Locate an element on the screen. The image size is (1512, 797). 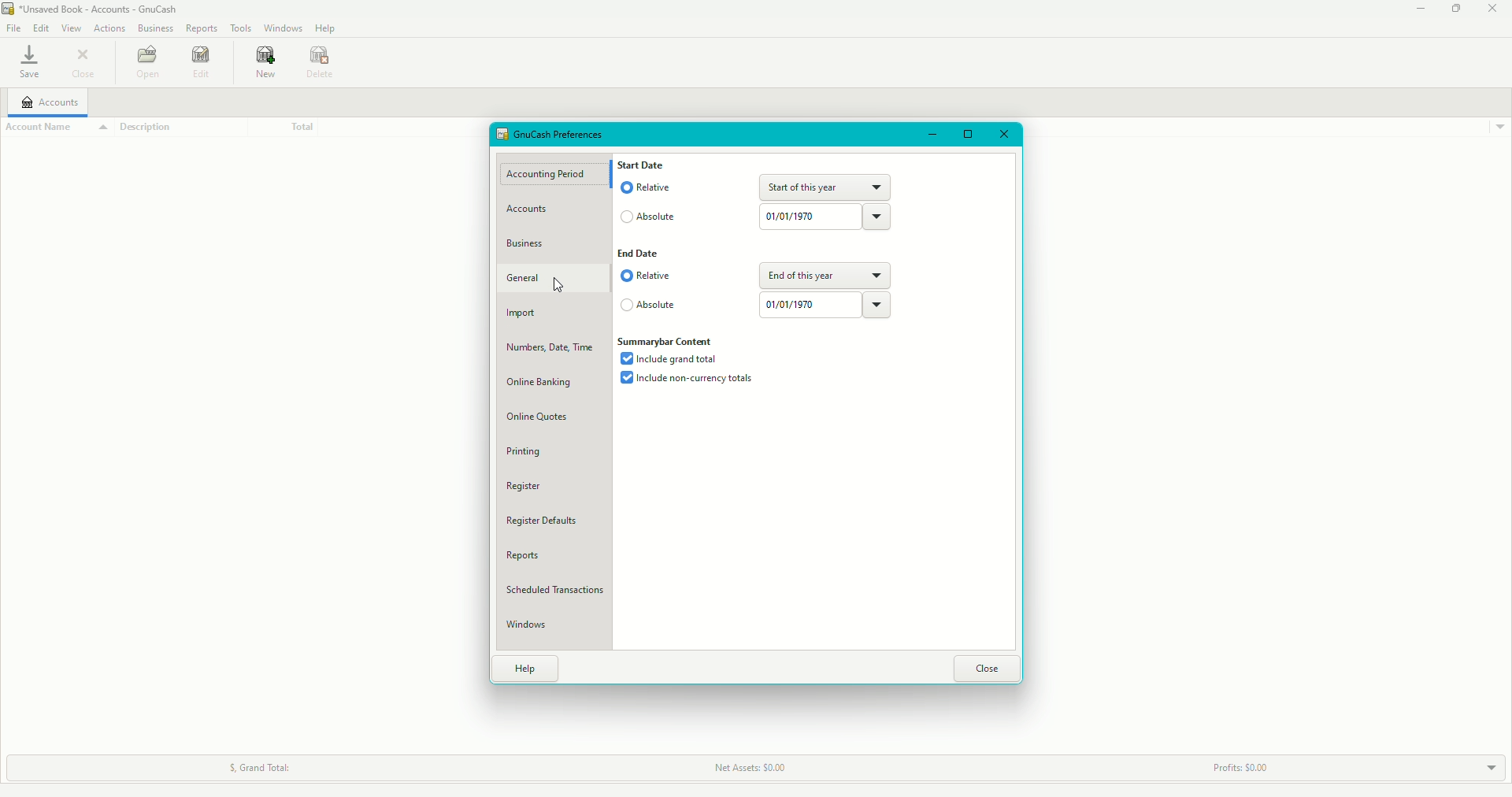
save is located at coordinates (25, 62).